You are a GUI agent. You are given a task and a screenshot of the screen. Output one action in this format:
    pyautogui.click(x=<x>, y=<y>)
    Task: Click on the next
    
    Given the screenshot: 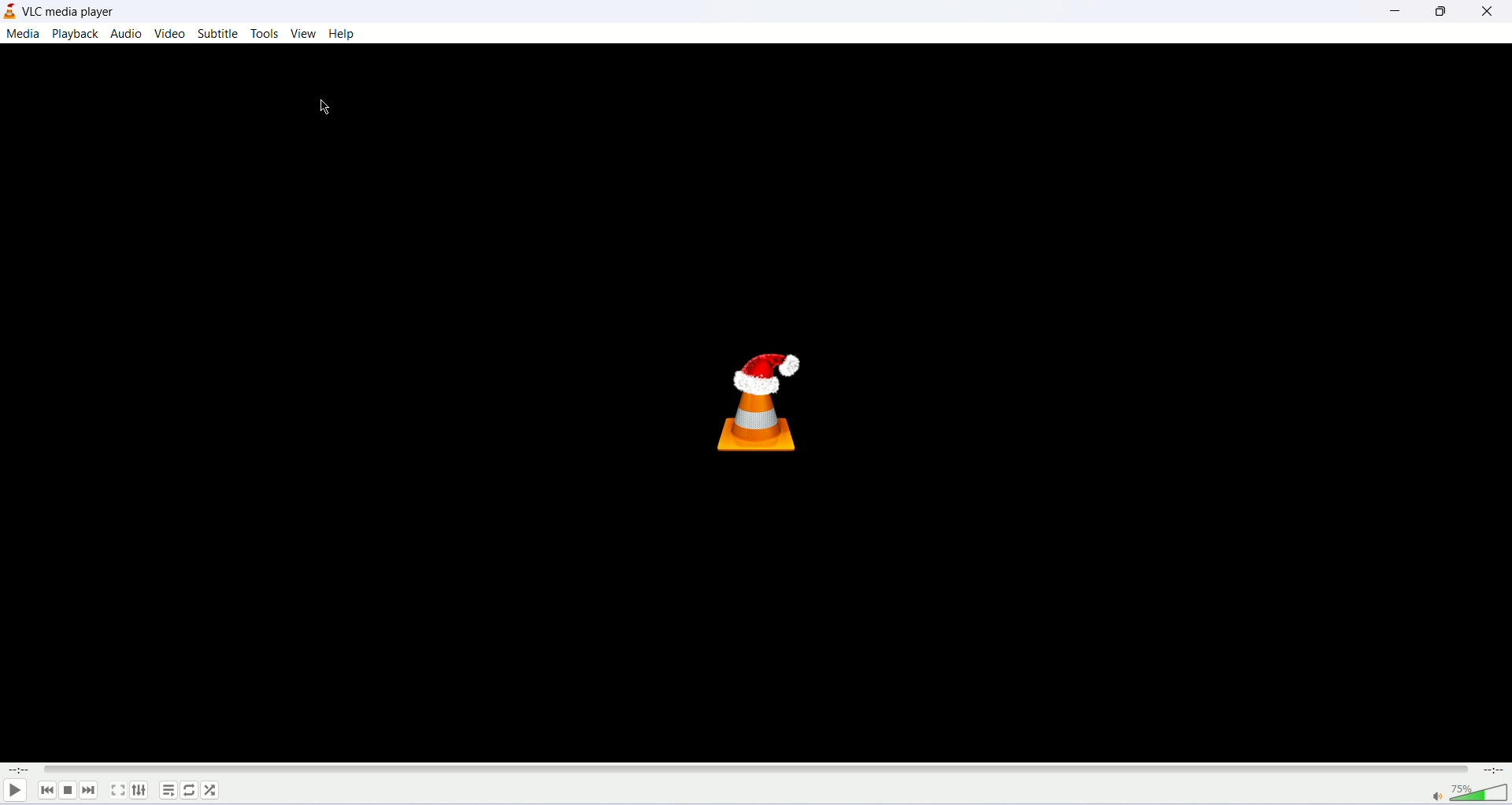 What is the action you would take?
    pyautogui.click(x=91, y=790)
    